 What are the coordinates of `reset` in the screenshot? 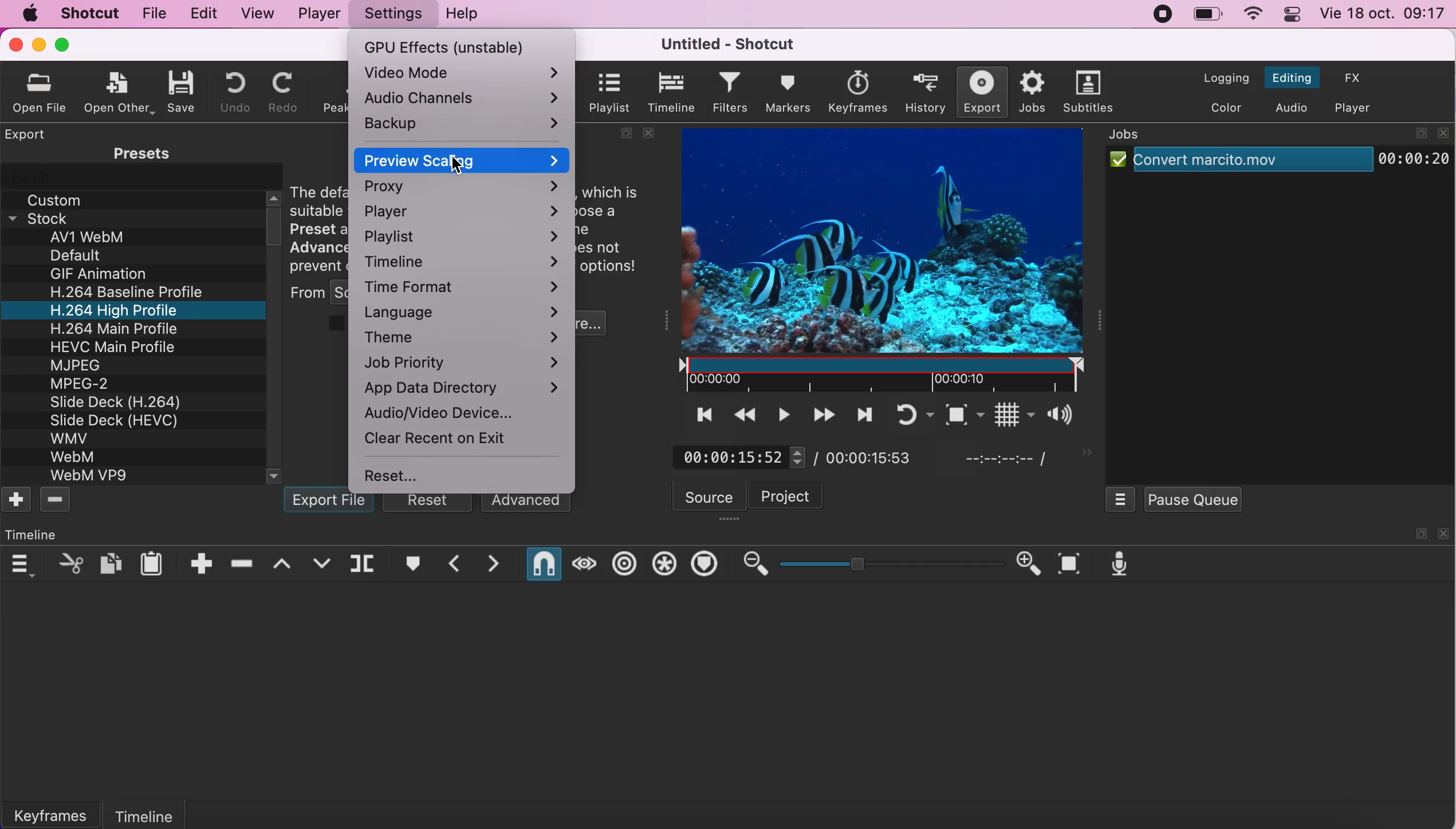 It's located at (431, 505).